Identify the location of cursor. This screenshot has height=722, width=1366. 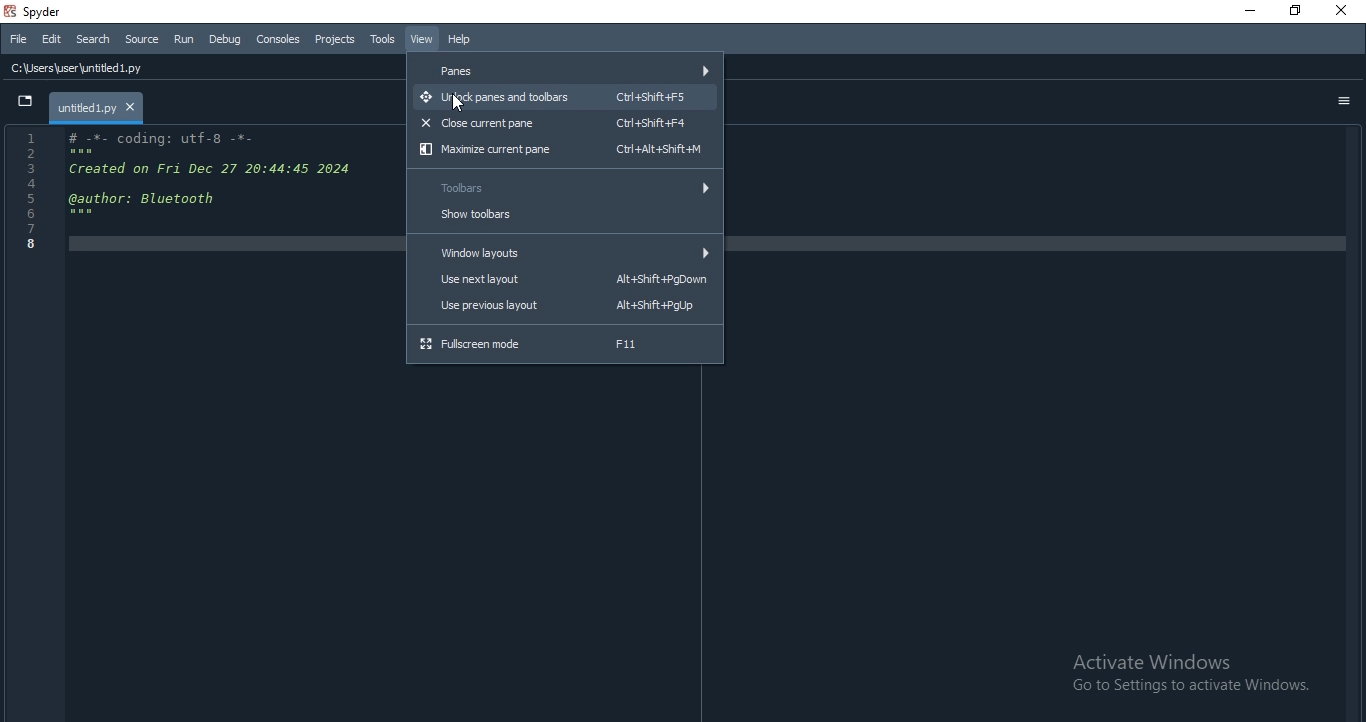
(463, 105).